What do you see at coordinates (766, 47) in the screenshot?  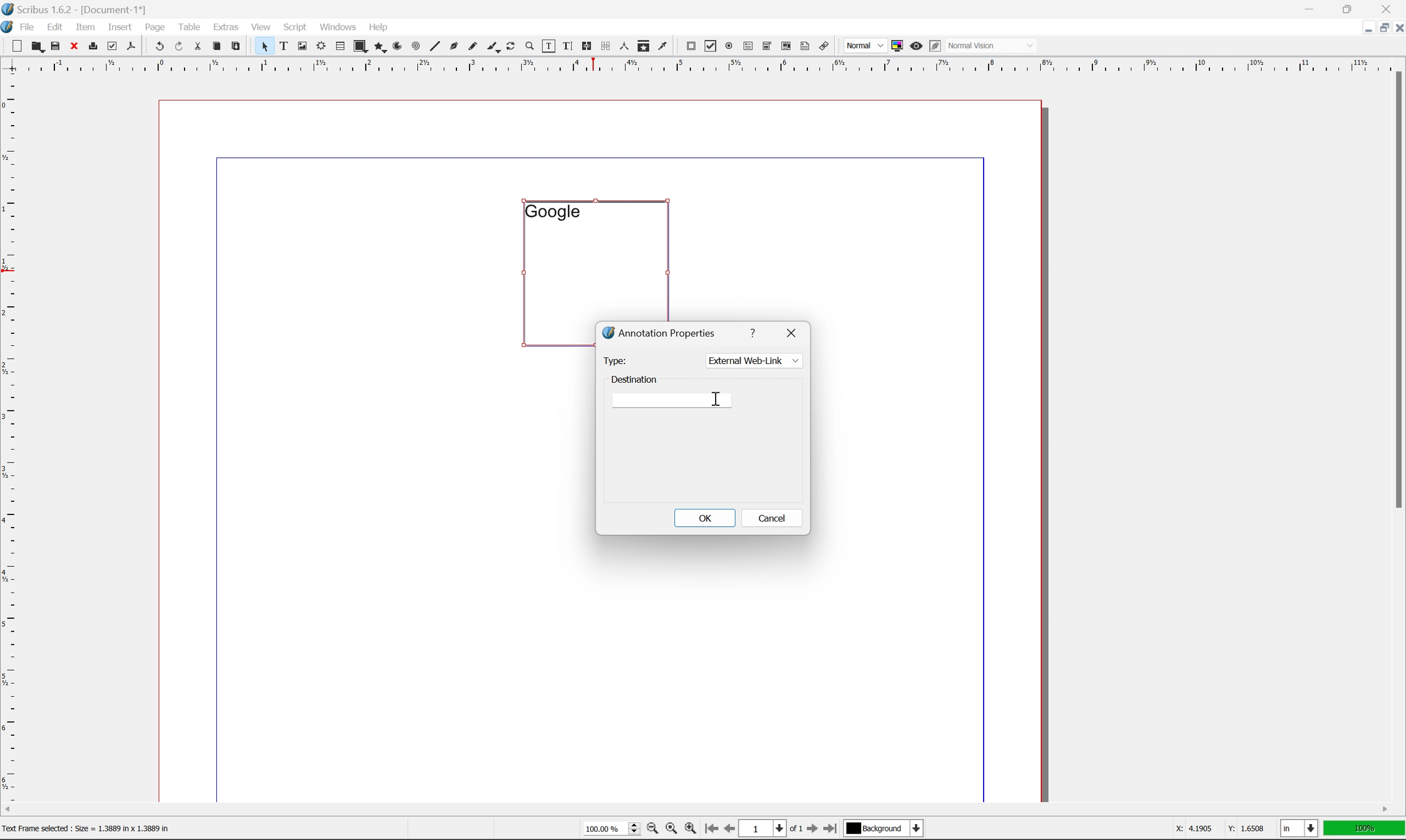 I see `pdf combo box` at bounding box center [766, 47].